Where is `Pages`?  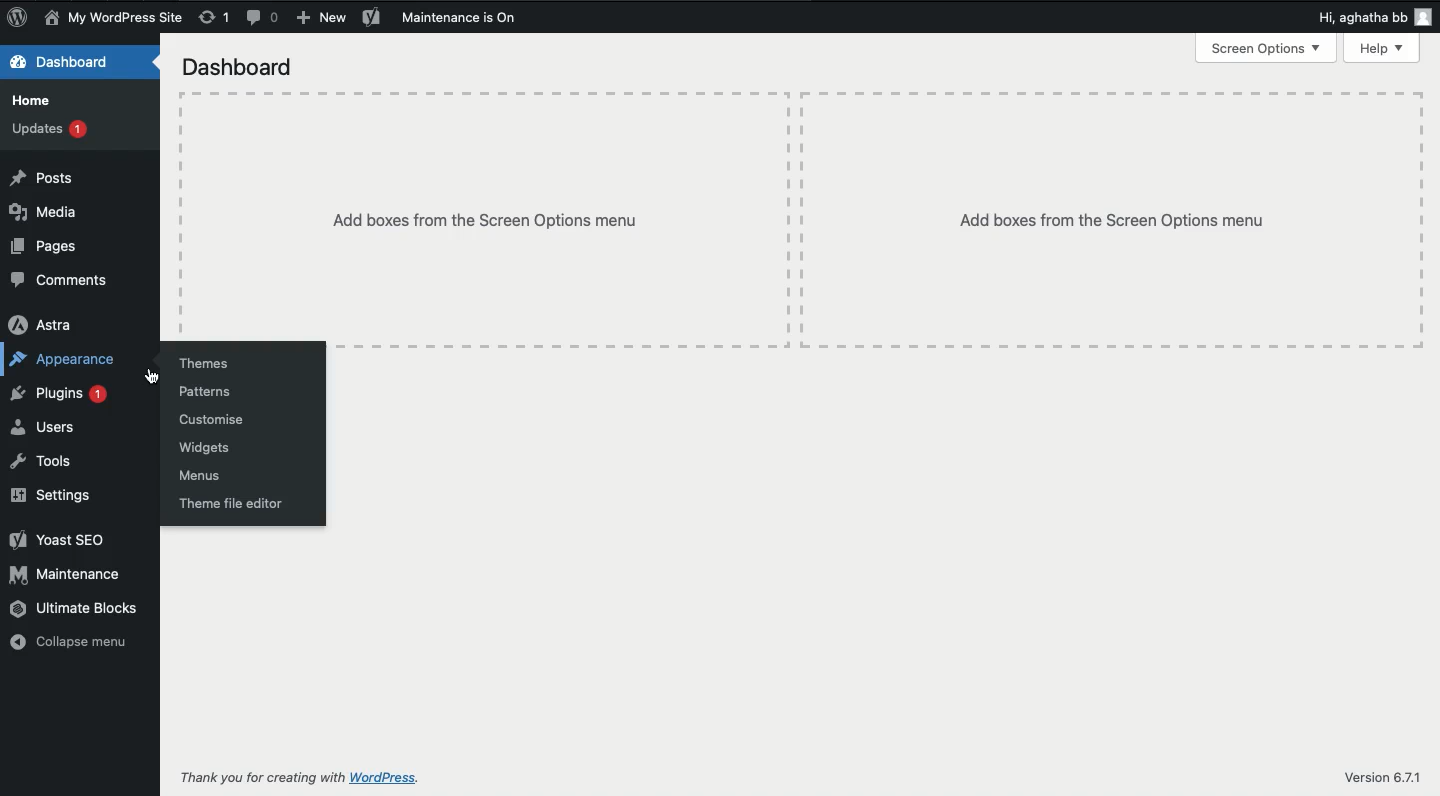 Pages is located at coordinates (46, 246).